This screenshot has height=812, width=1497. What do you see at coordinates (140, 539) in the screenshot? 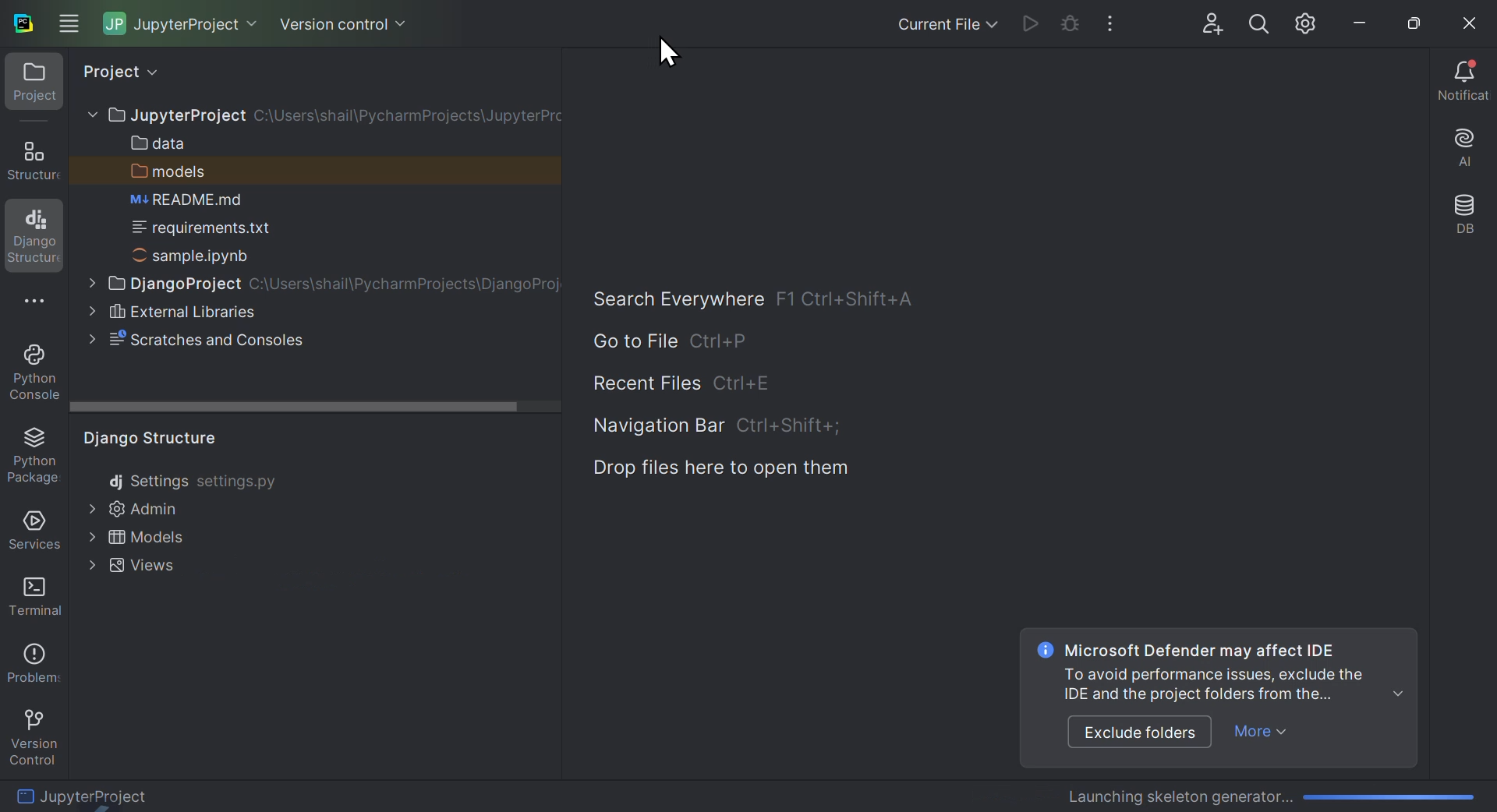
I see `Models` at bounding box center [140, 539].